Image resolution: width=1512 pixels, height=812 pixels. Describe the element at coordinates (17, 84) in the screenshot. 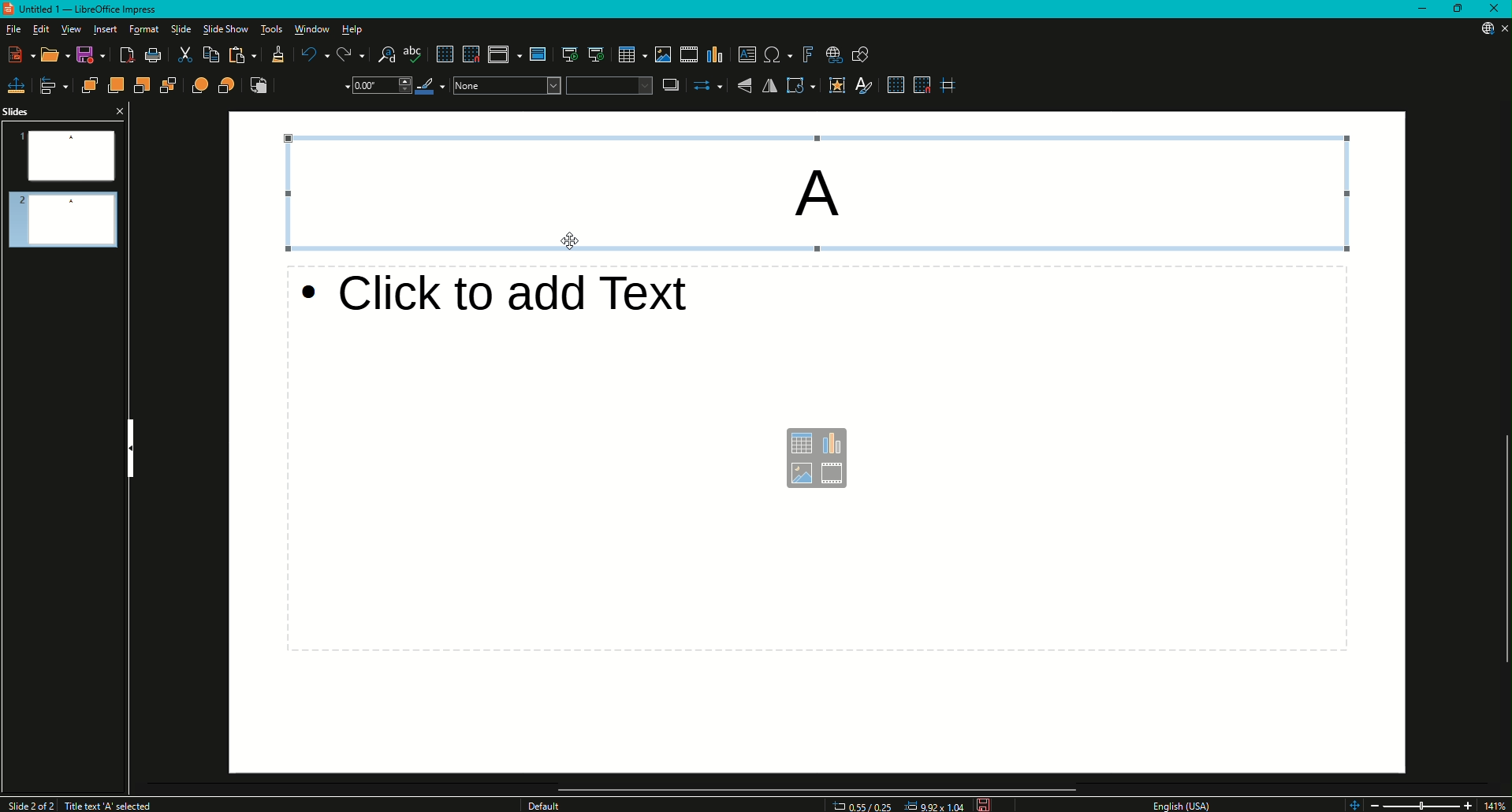

I see `Position and Size` at that location.